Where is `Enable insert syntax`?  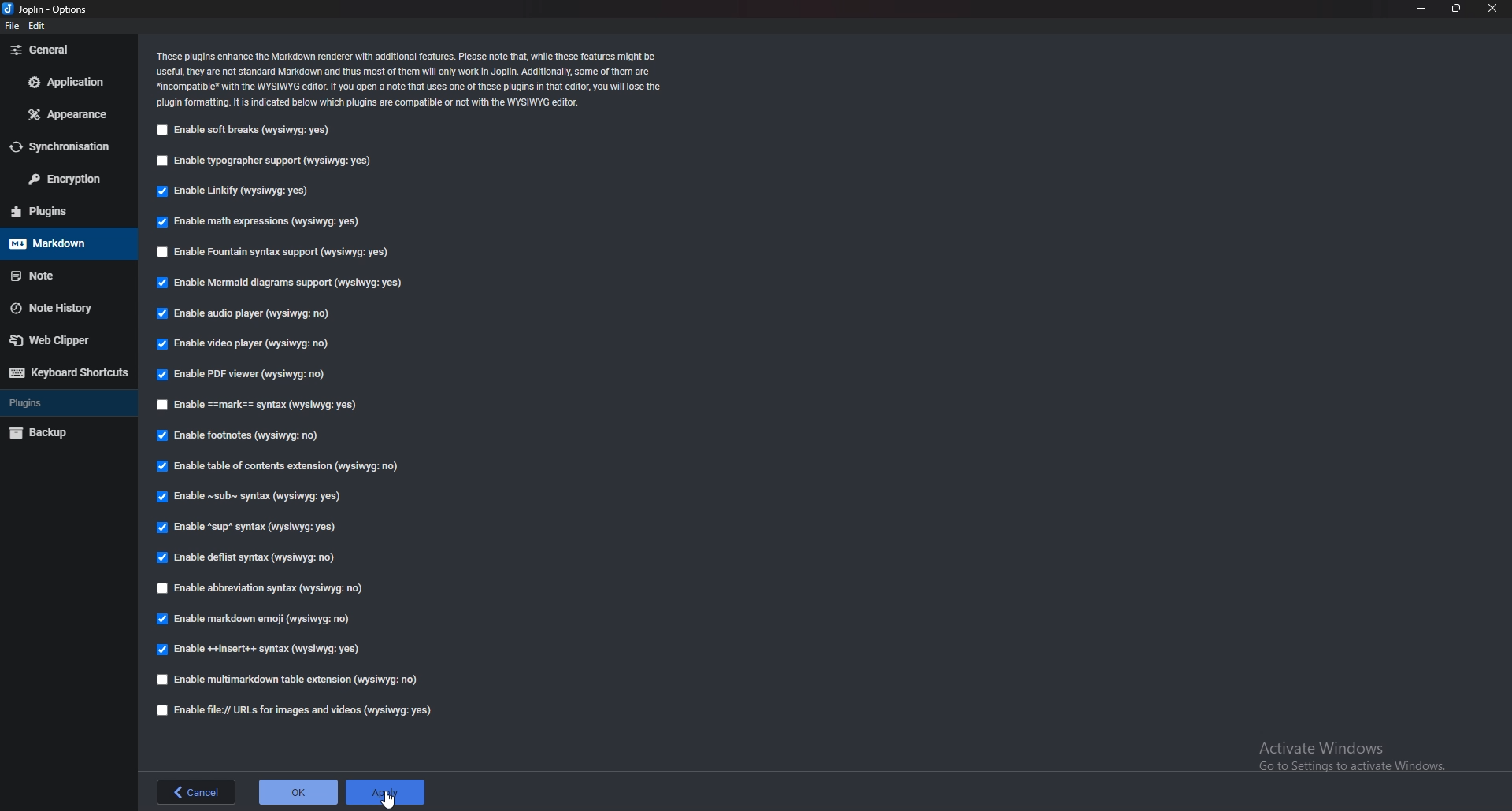
Enable insert syntax is located at coordinates (259, 648).